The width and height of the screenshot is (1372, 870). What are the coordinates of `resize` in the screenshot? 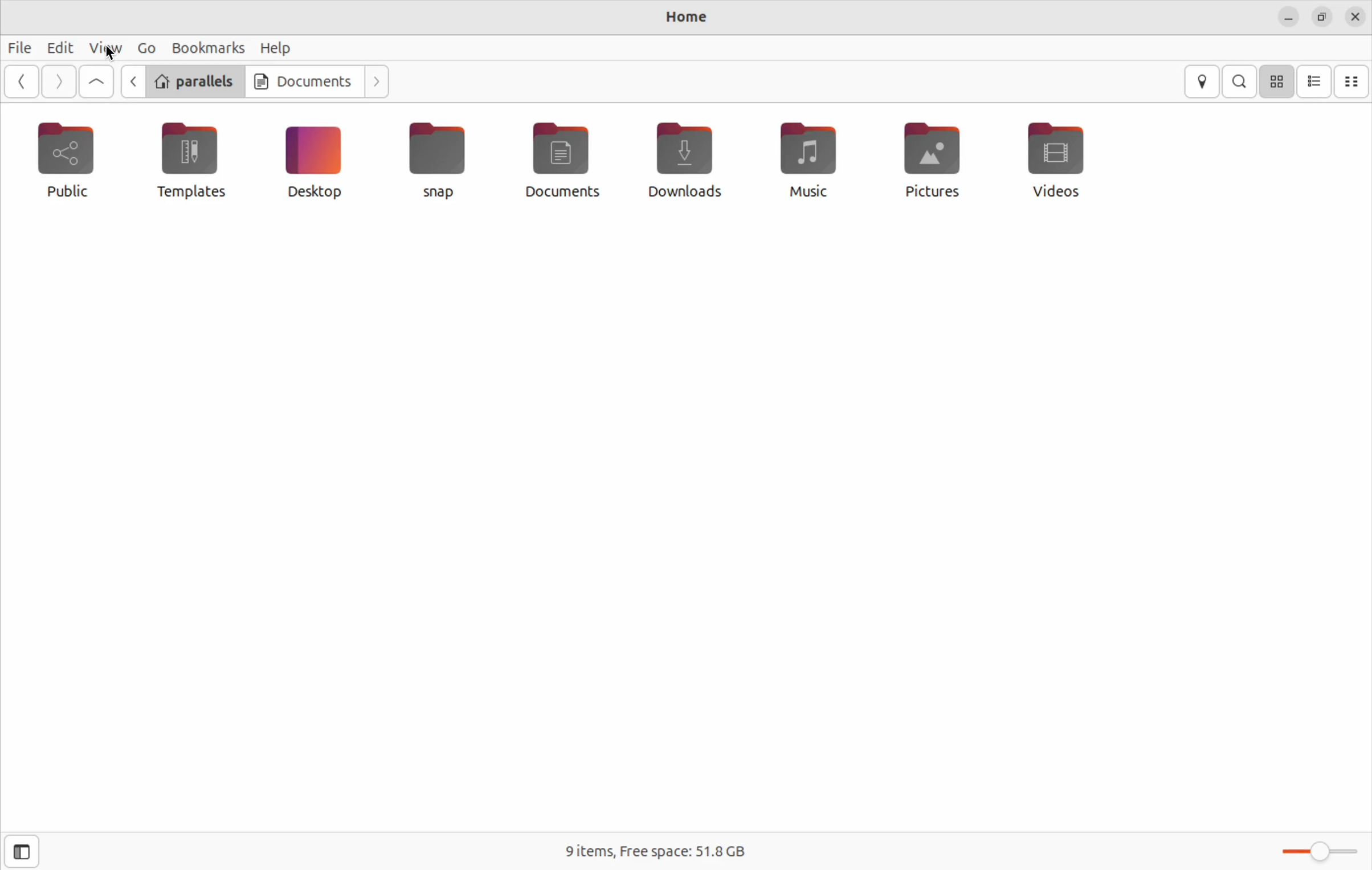 It's located at (1324, 18).